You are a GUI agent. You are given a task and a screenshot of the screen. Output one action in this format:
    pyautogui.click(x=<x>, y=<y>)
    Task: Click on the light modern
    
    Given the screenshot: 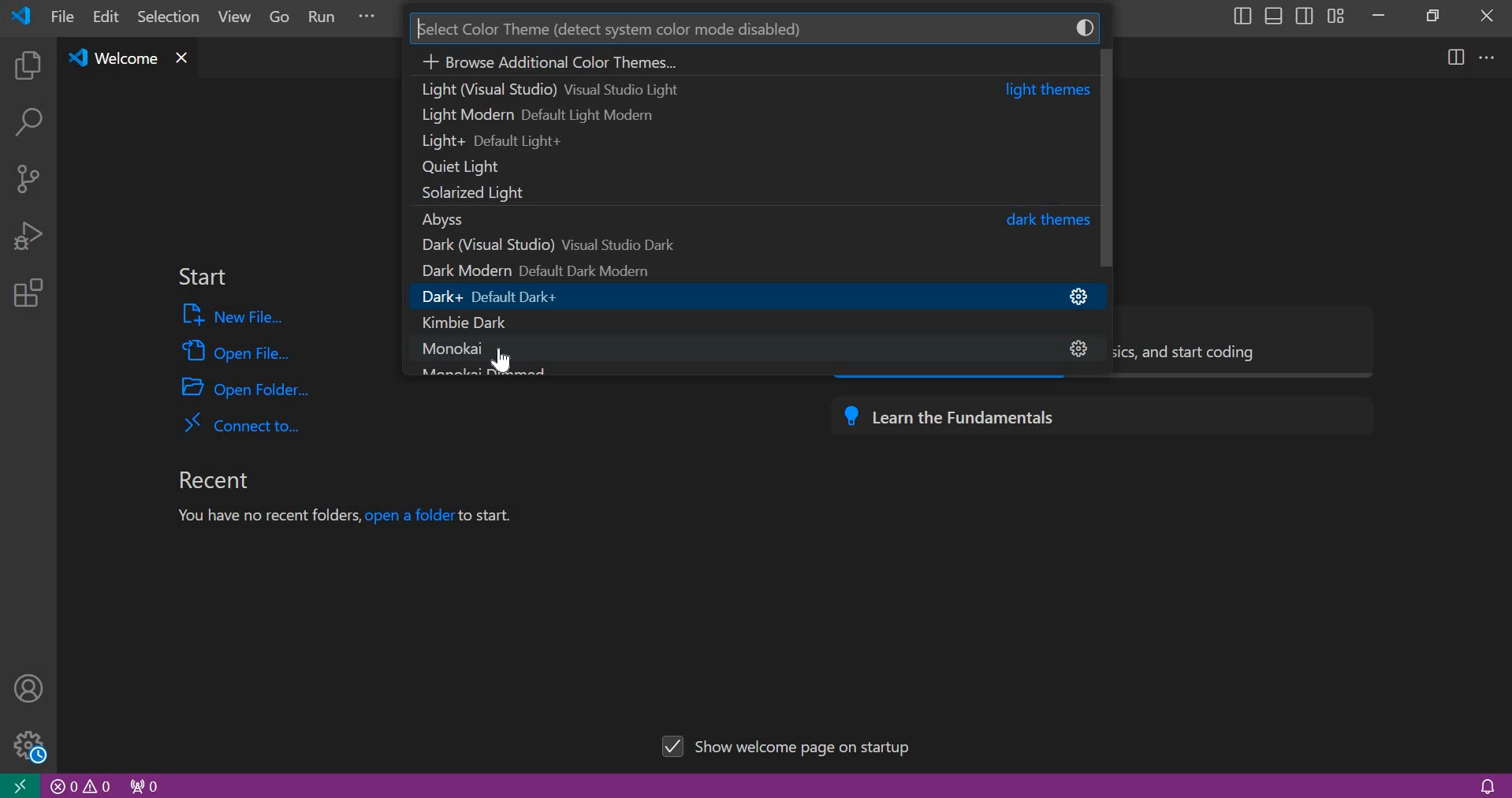 What is the action you would take?
    pyautogui.click(x=747, y=114)
    